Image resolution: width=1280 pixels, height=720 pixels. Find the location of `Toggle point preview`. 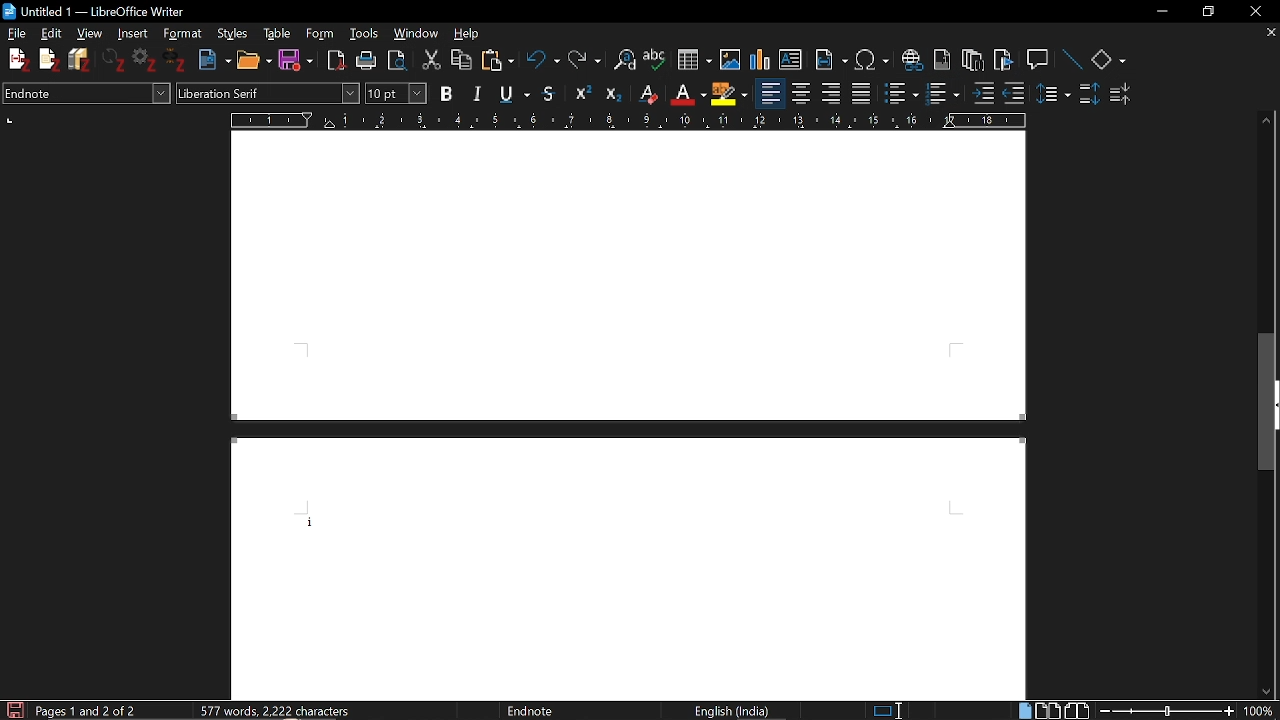

Toggle point preview is located at coordinates (398, 60).